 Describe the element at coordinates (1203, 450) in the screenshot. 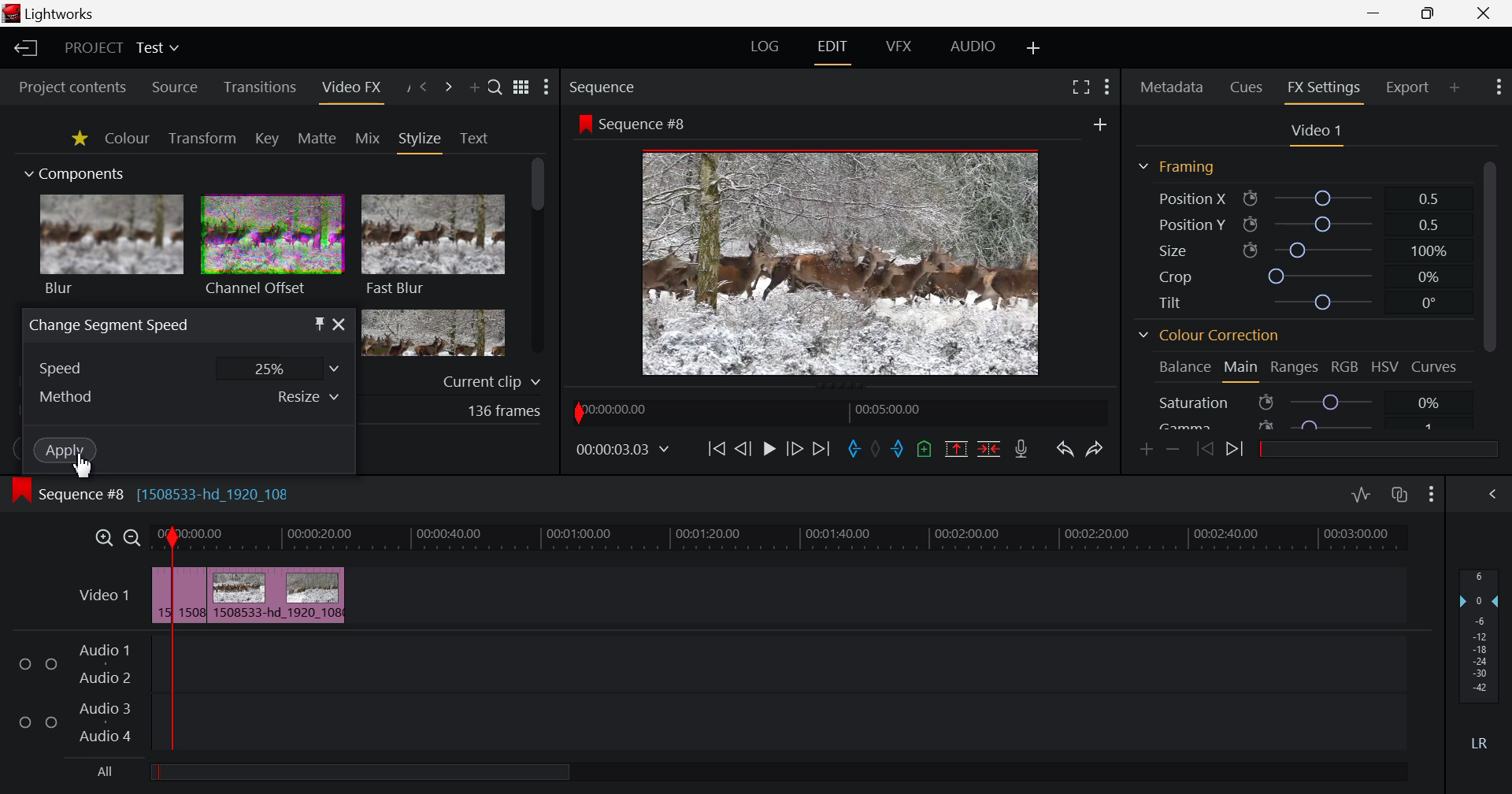

I see `Previous keyframe` at that location.